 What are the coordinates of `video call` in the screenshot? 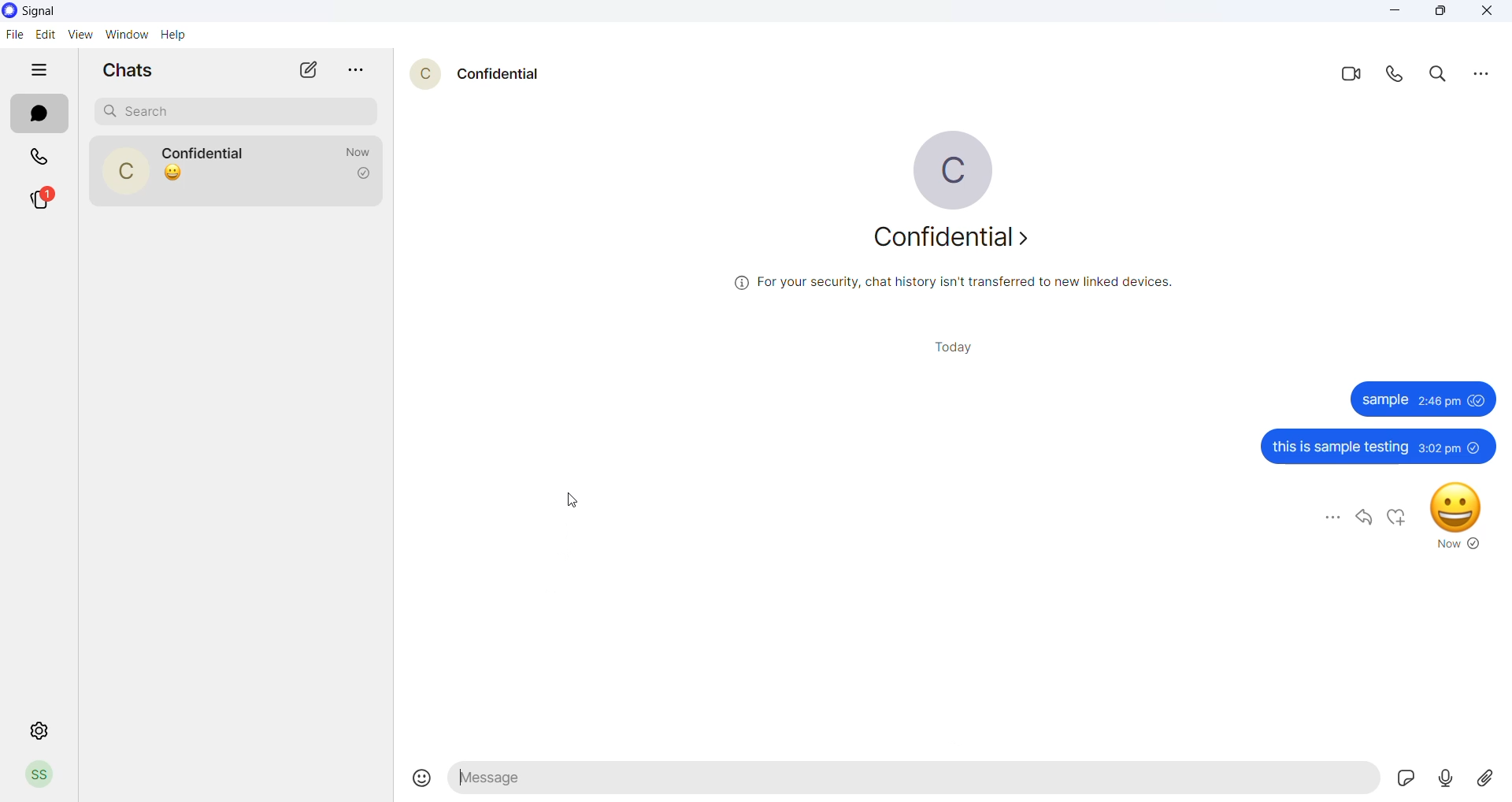 It's located at (1350, 76).